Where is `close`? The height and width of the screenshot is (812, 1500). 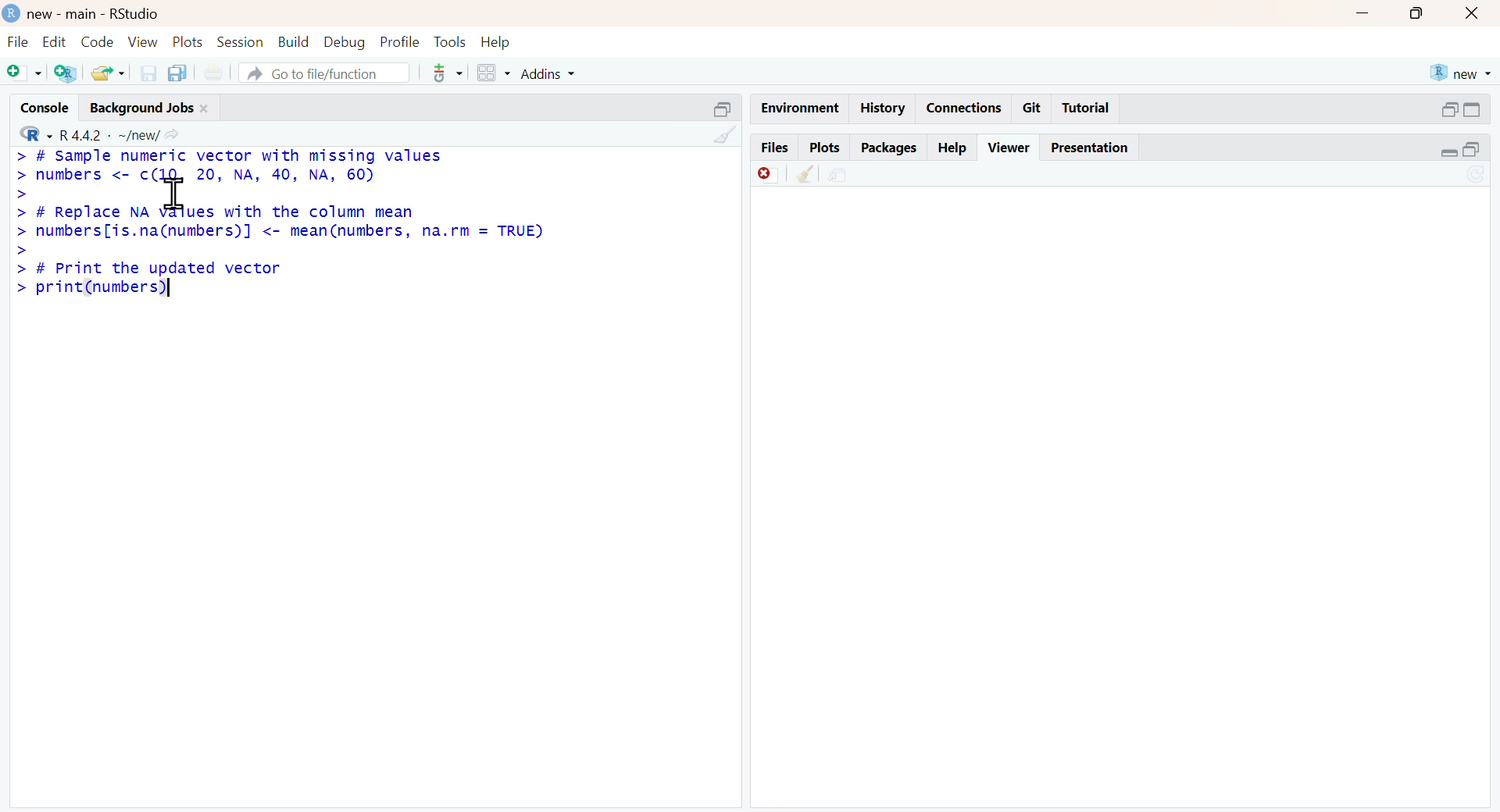
close is located at coordinates (1473, 14).